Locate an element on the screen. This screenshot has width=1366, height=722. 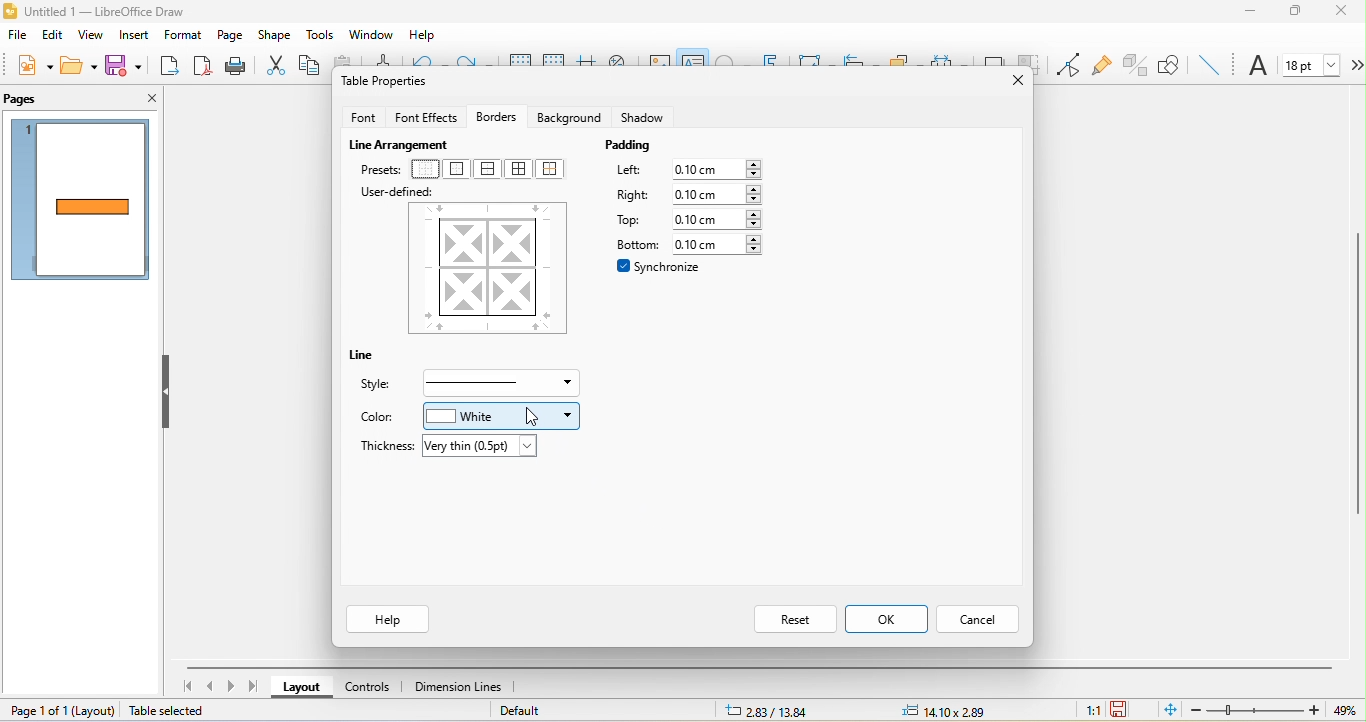
next page is located at coordinates (234, 687).